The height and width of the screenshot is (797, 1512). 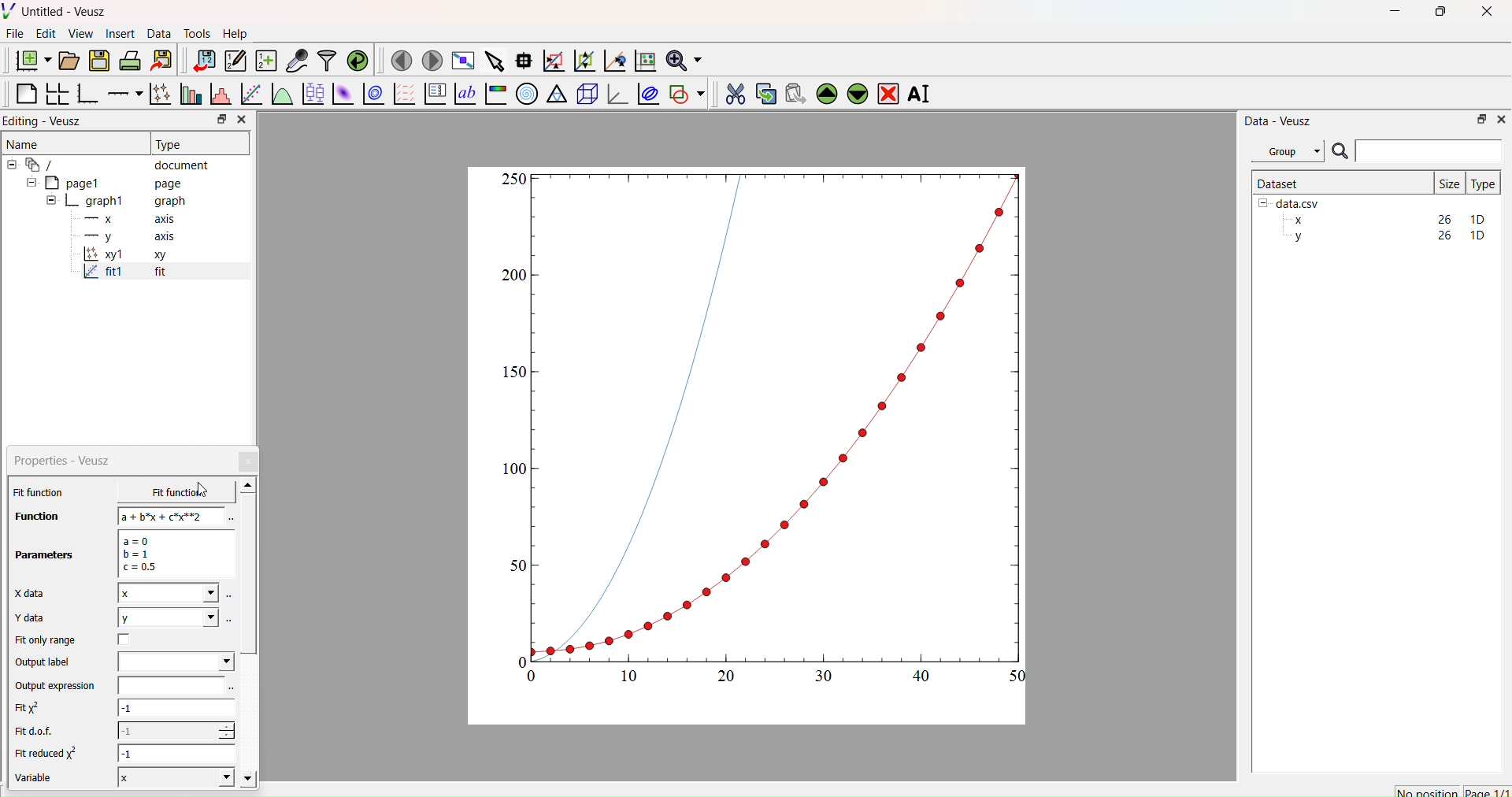 What do you see at coordinates (39, 618) in the screenshot?
I see `Y data` at bounding box center [39, 618].